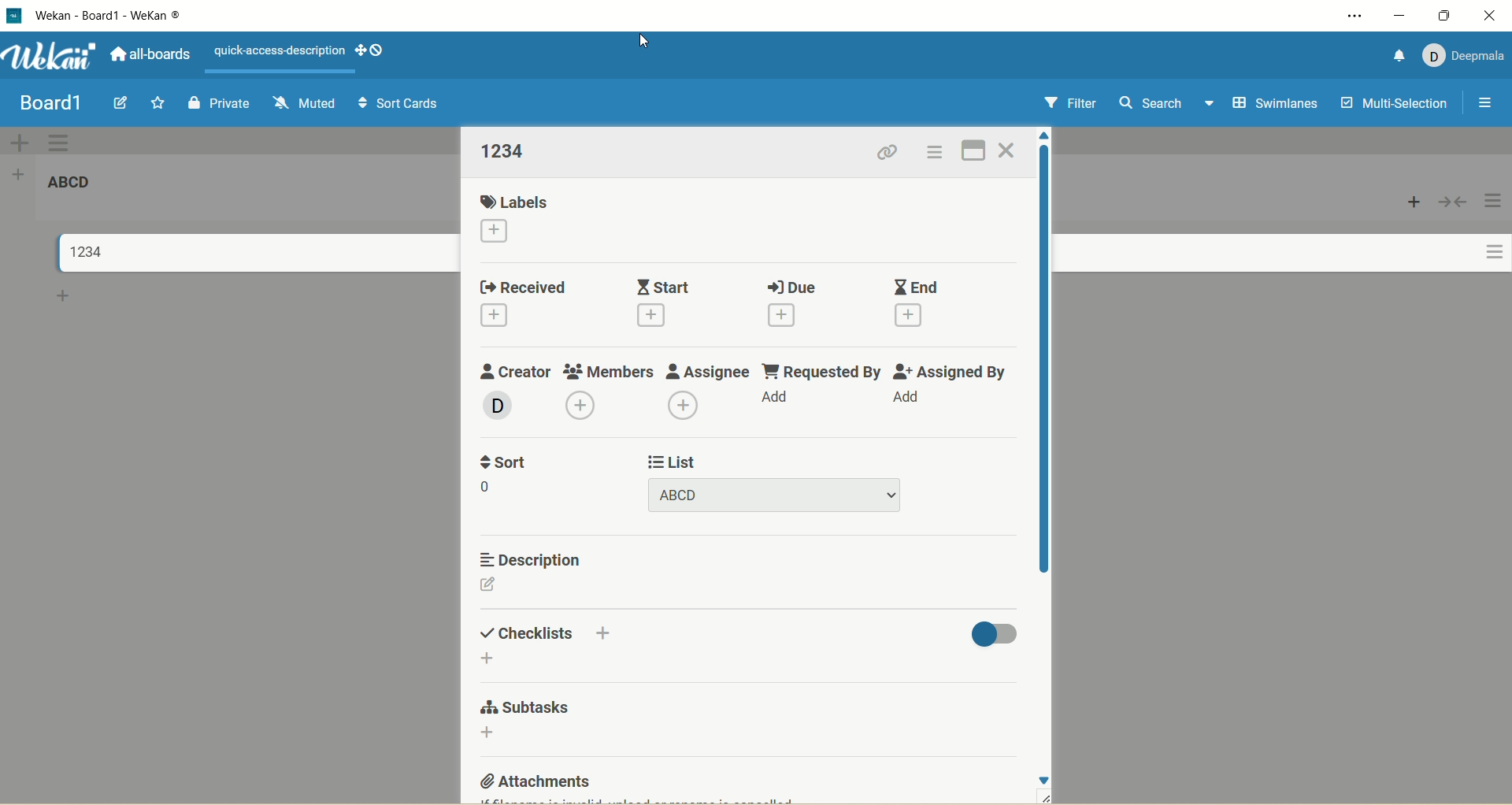 The height and width of the screenshot is (805, 1512). Describe the element at coordinates (606, 632) in the screenshot. I see `add` at that location.